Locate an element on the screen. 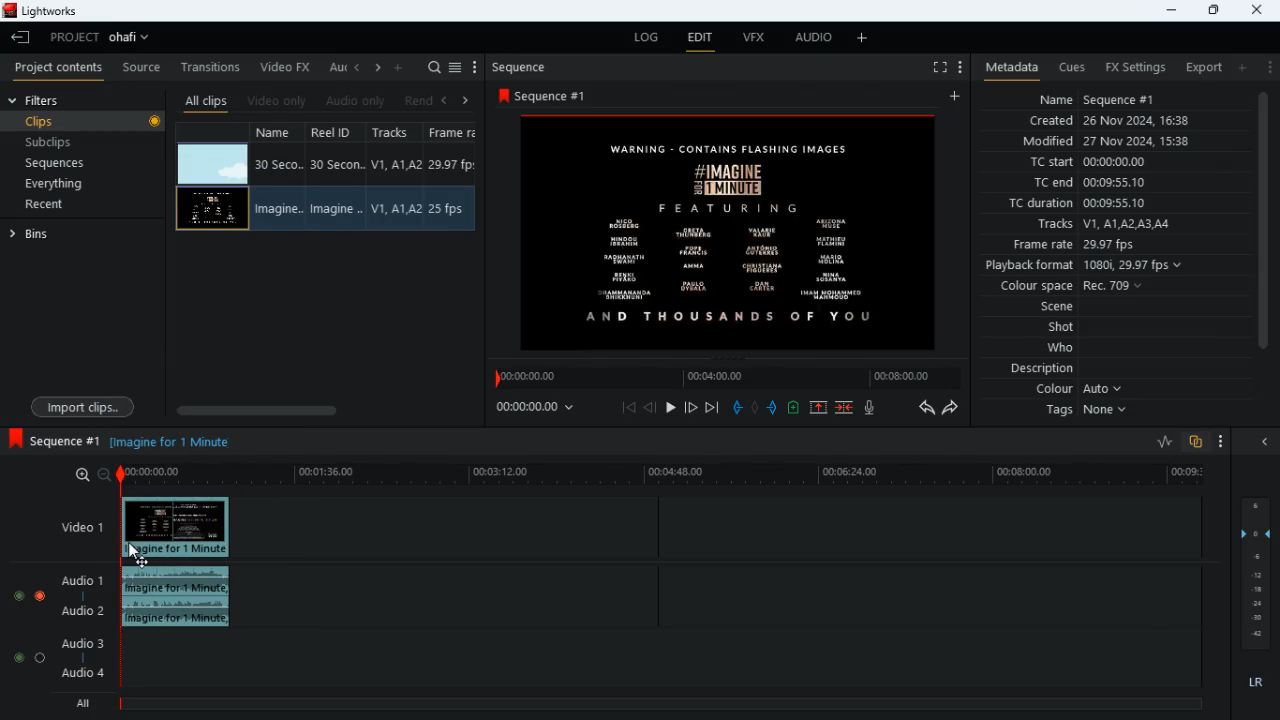  audio 1 is located at coordinates (82, 579).